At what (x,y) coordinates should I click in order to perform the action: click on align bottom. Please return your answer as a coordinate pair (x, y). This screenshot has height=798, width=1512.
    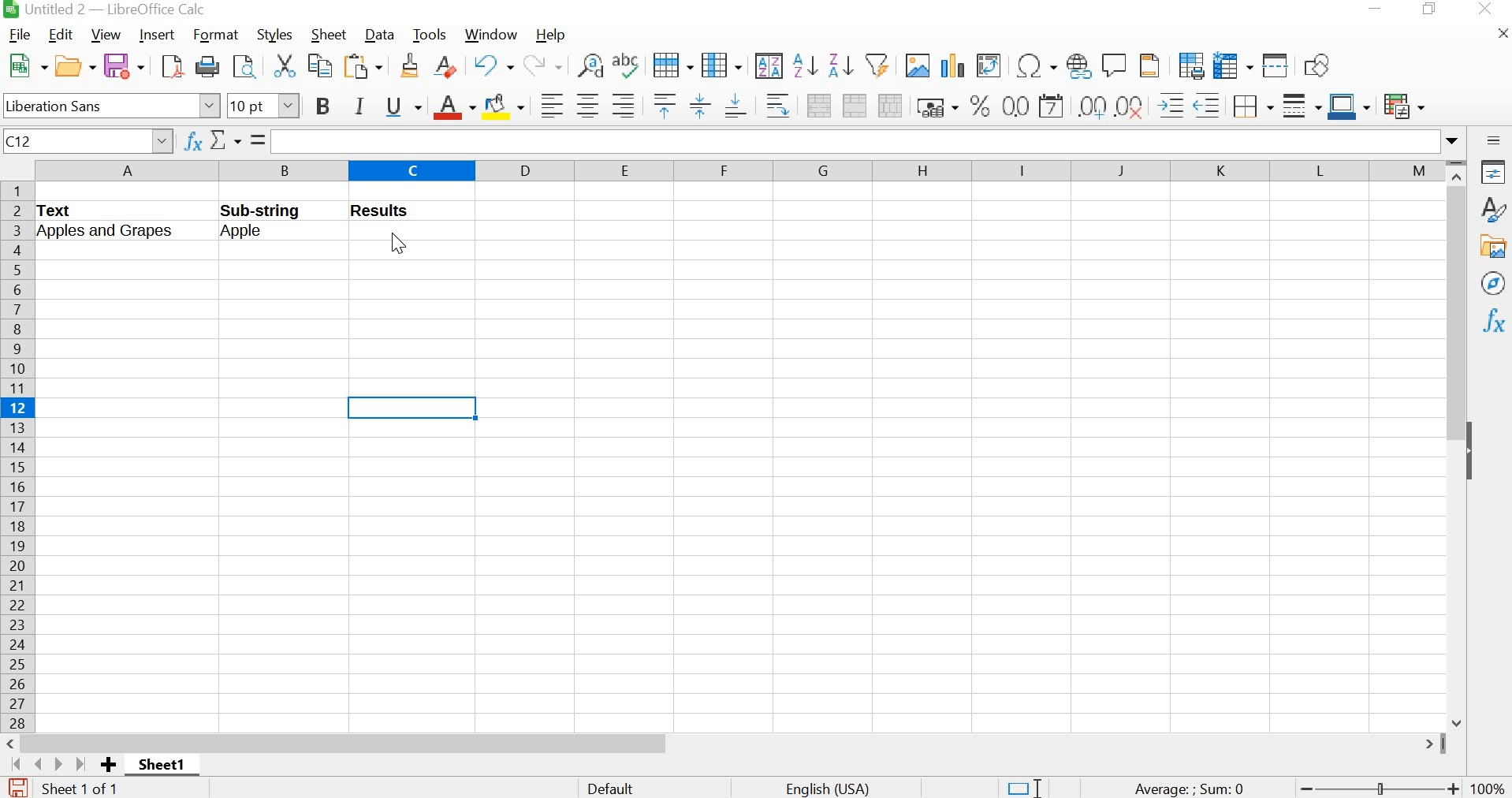
    Looking at the image, I should click on (735, 104).